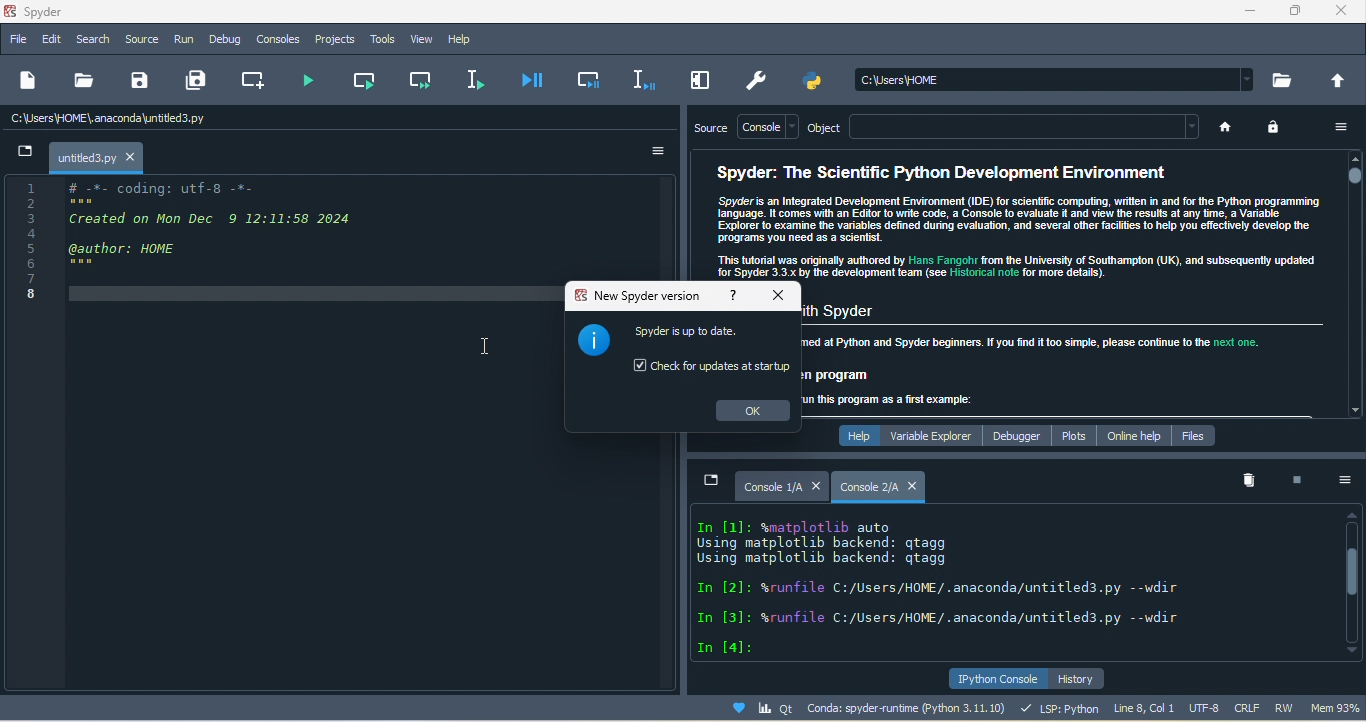  I want to click on new, so click(30, 84).